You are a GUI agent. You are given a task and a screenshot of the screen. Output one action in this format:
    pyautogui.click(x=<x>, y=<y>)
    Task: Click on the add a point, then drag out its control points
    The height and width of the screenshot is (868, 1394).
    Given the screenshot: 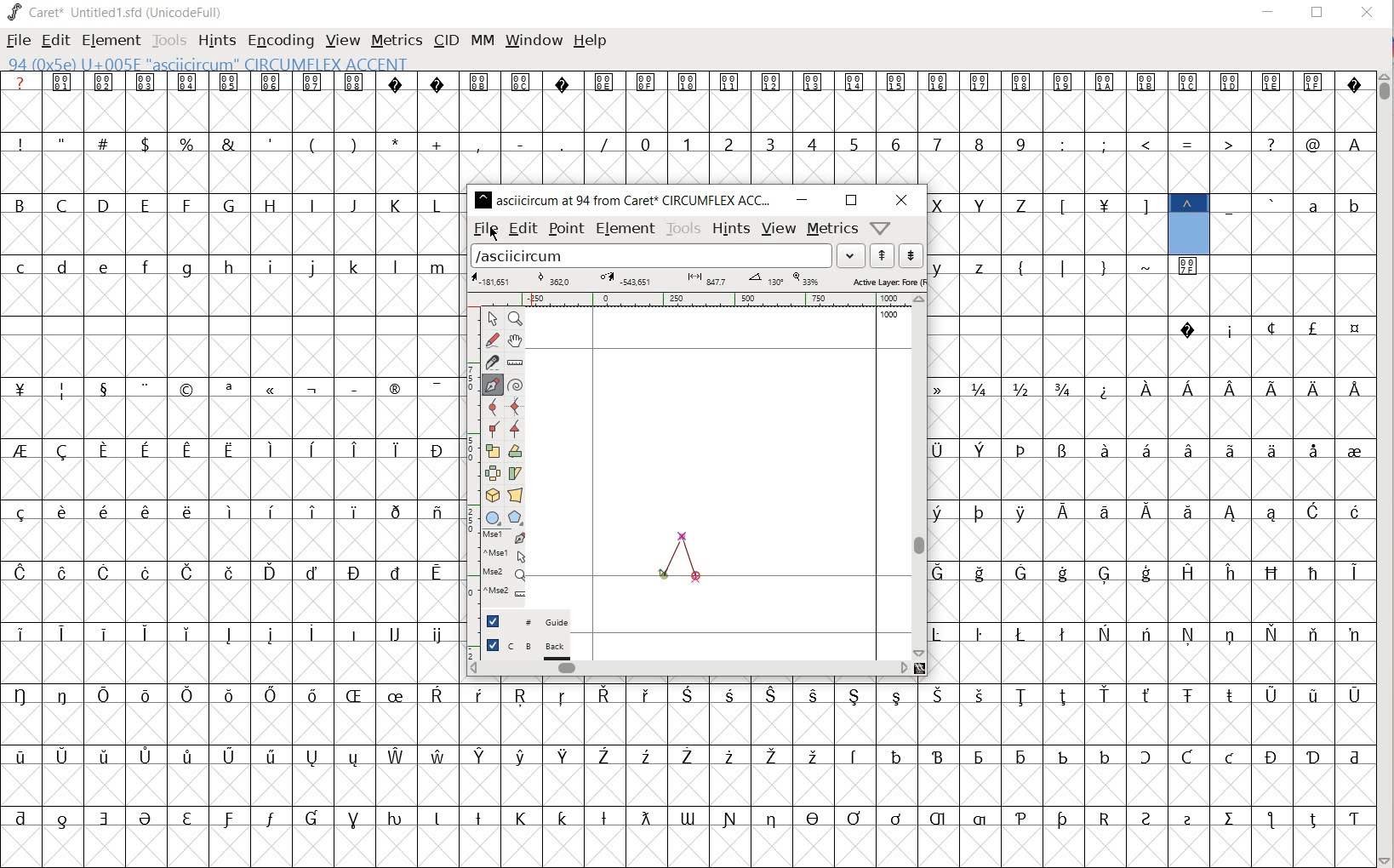 What is the action you would take?
    pyautogui.click(x=491, y=384)
    